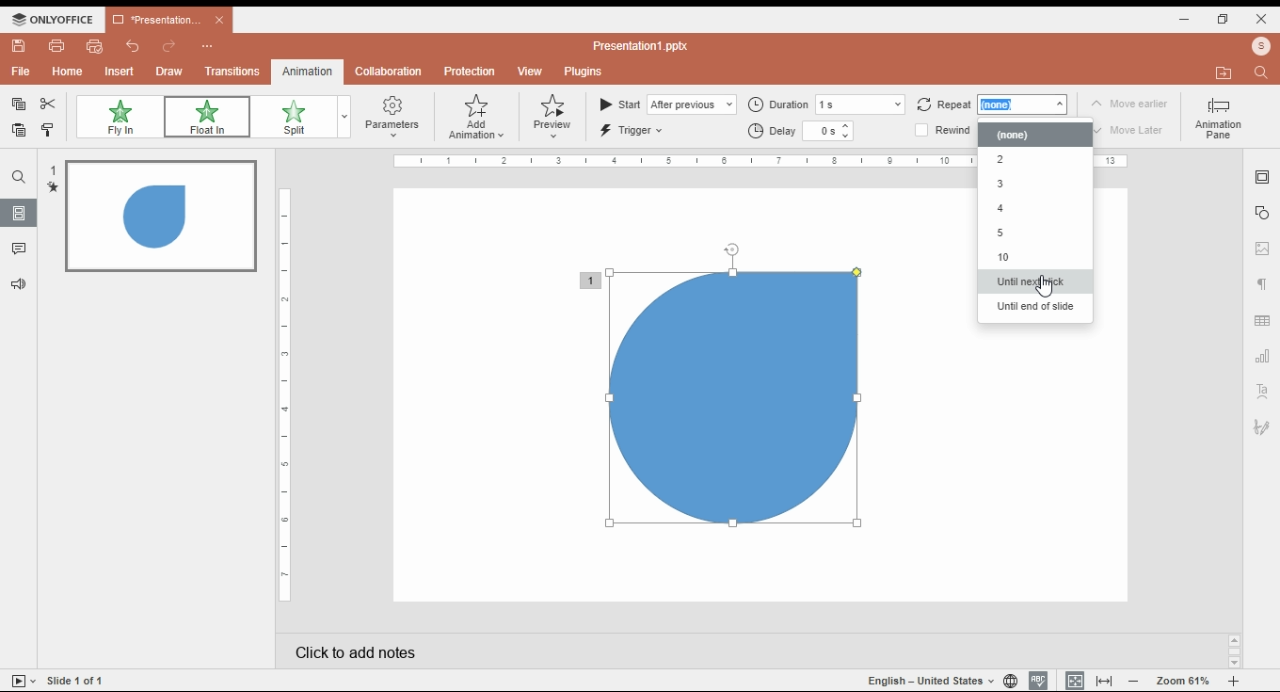  I want to click on 4, so click(1037, 209).